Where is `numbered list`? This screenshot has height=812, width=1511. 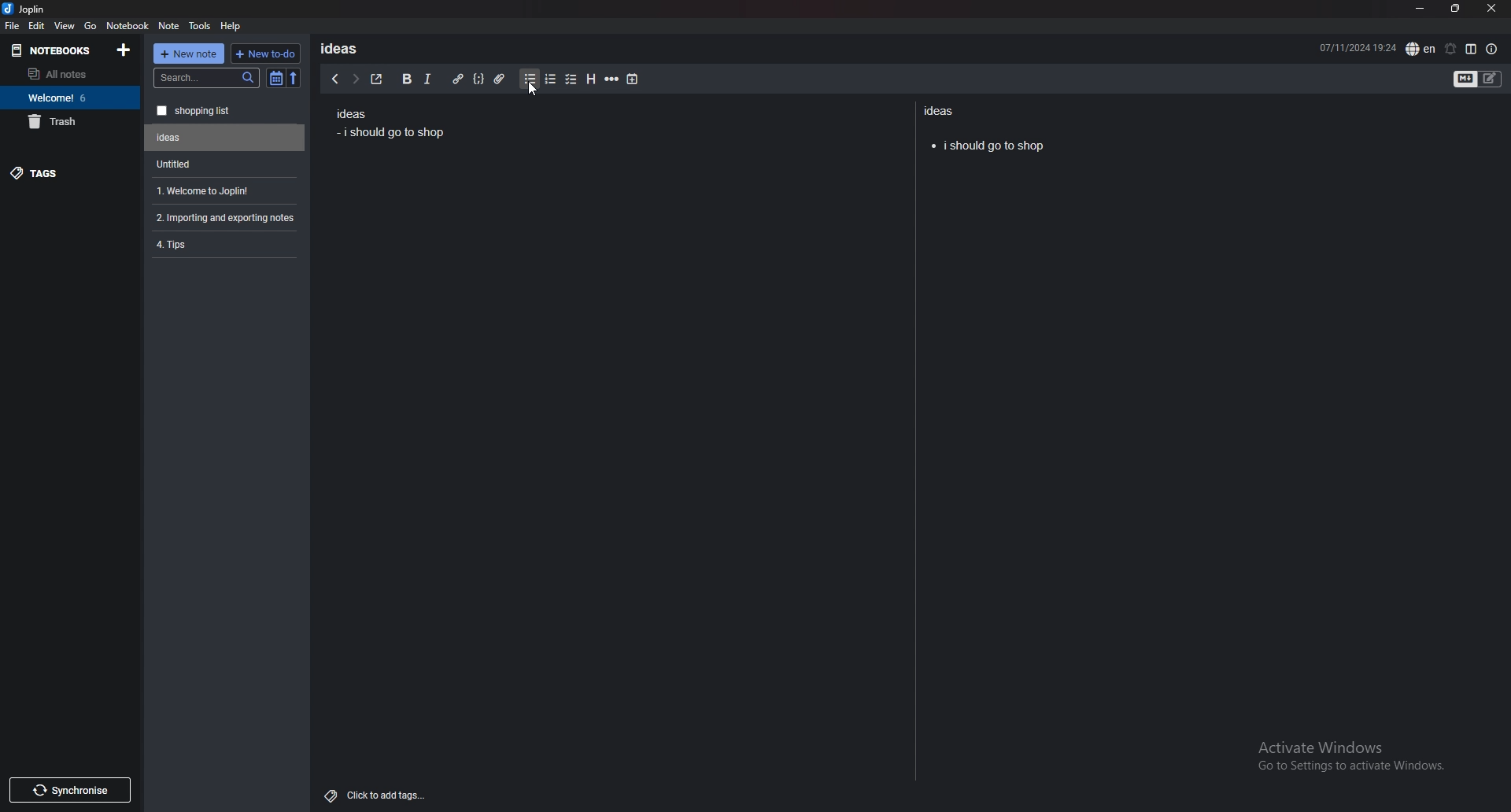 numbered list is located at coordinates (549, 79).